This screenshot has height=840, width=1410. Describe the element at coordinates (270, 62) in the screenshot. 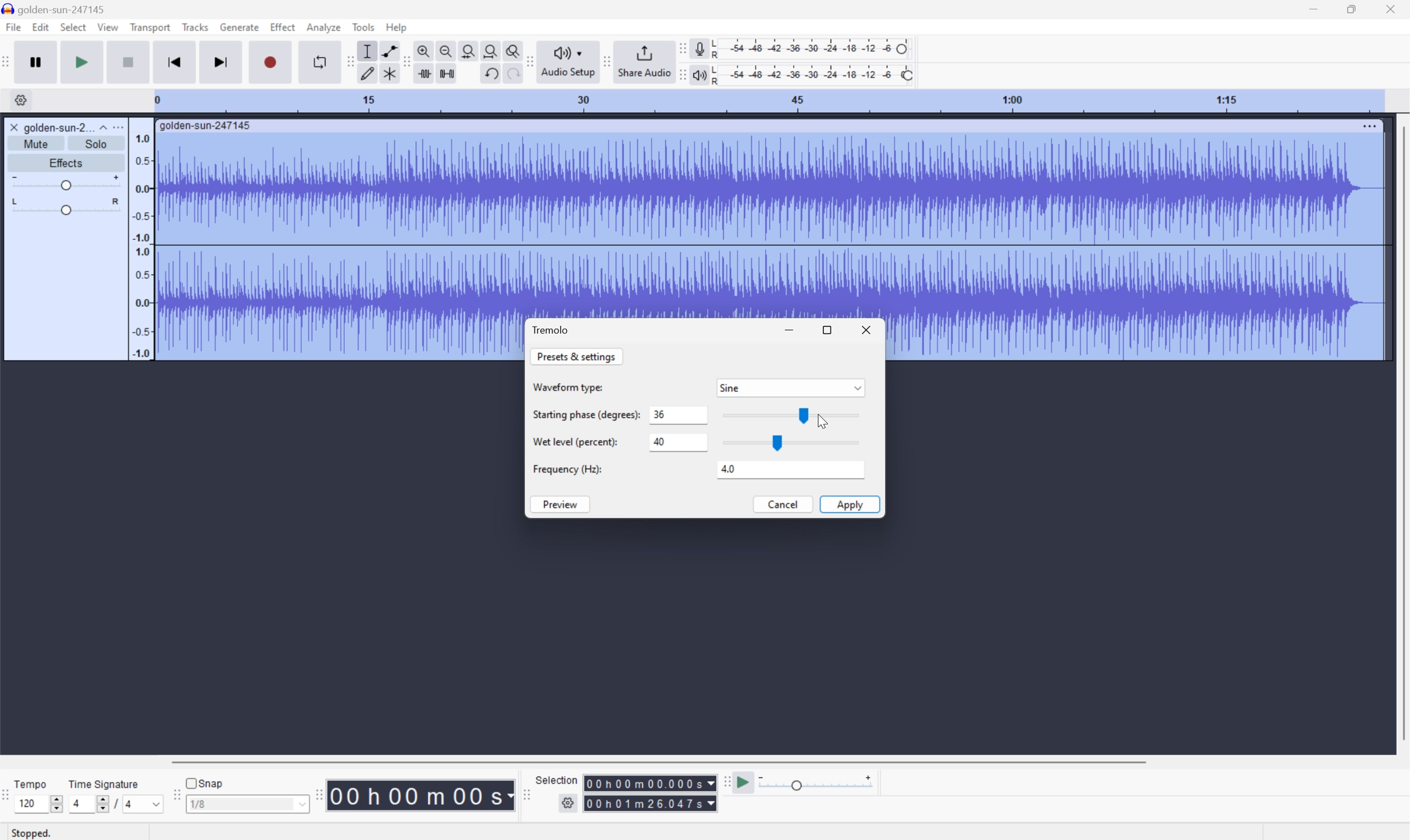

I see `Record / Record new track` at that location.